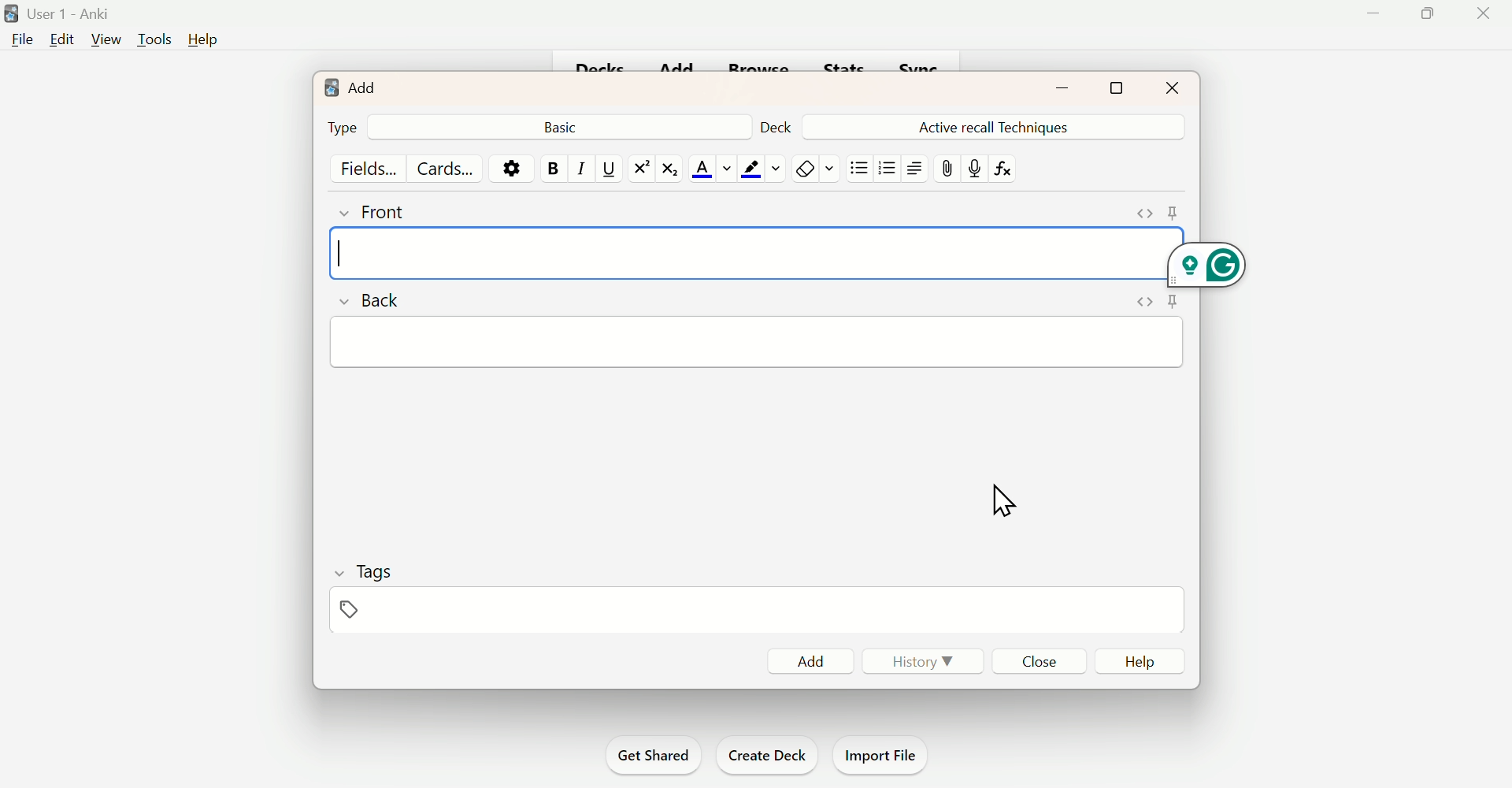  What do you see at coordinates (1053, 88) in the screenshot?
I see `minimise` at bounding box center [1053, 88].